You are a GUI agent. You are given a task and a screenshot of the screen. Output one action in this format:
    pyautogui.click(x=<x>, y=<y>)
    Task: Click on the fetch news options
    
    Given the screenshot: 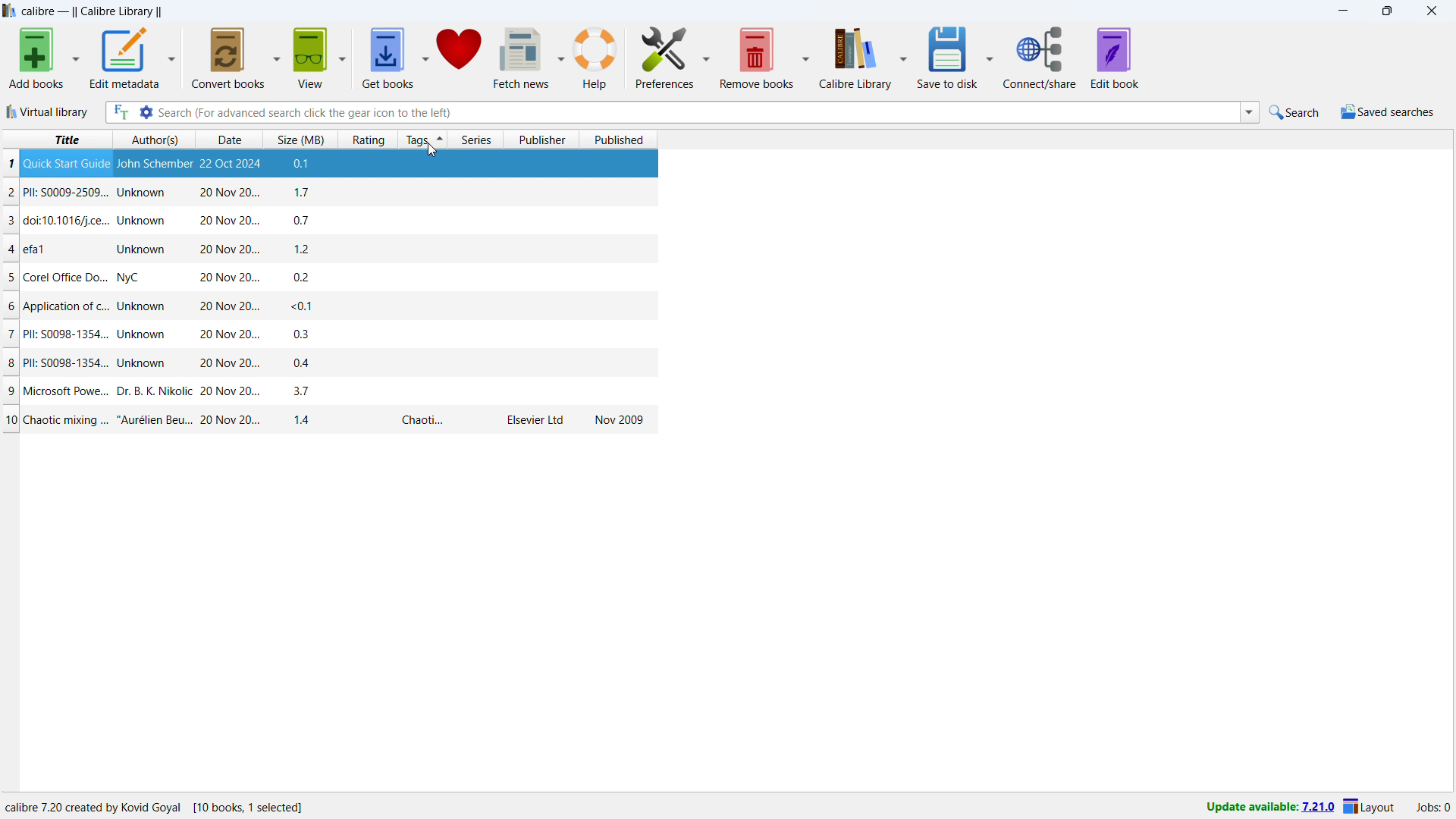 What is the action you would take?
    pyautogui.click(x=561, y=57)
    